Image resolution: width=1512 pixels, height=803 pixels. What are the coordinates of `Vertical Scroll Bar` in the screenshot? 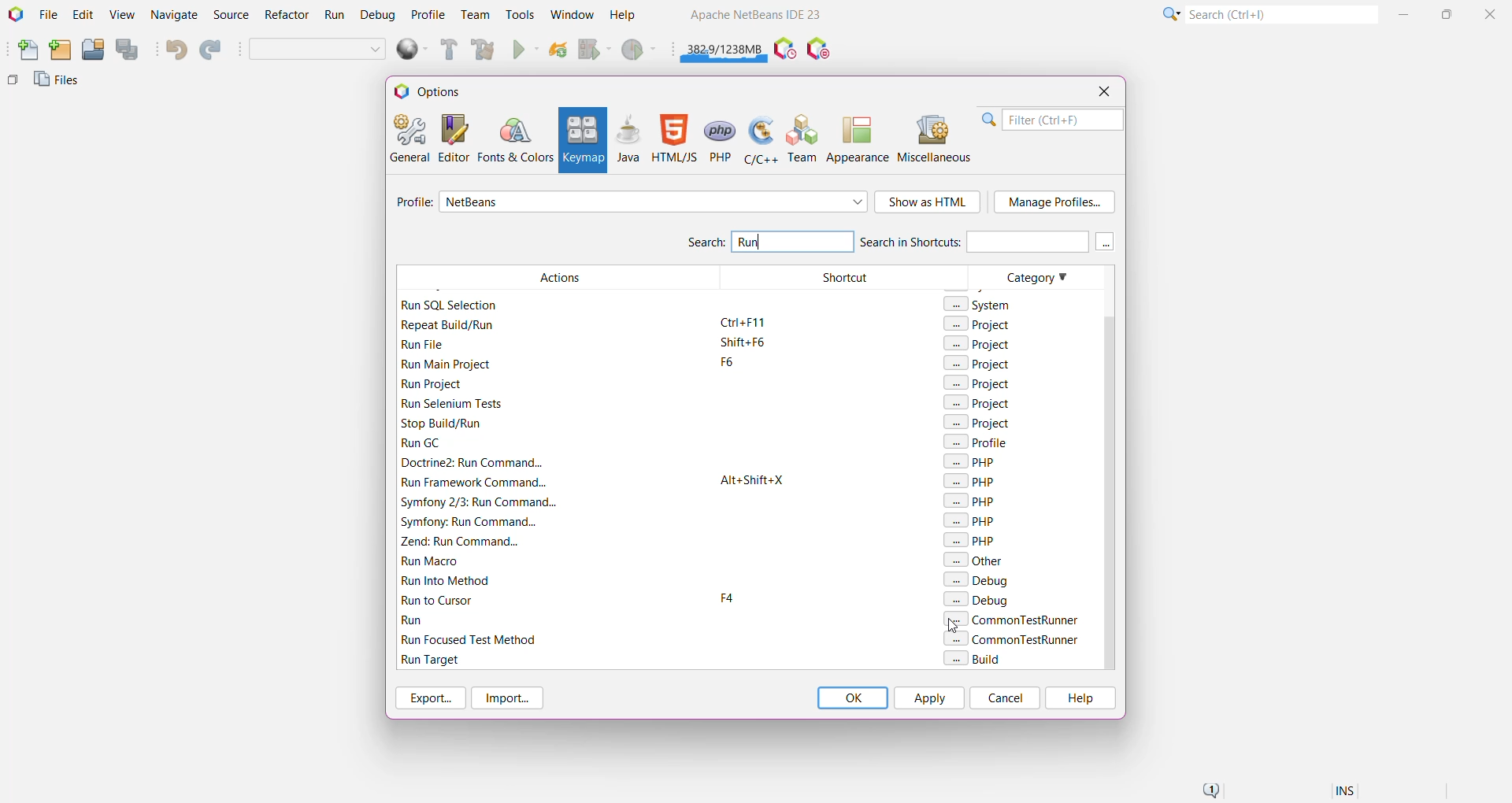 It's located at (1106, 467).